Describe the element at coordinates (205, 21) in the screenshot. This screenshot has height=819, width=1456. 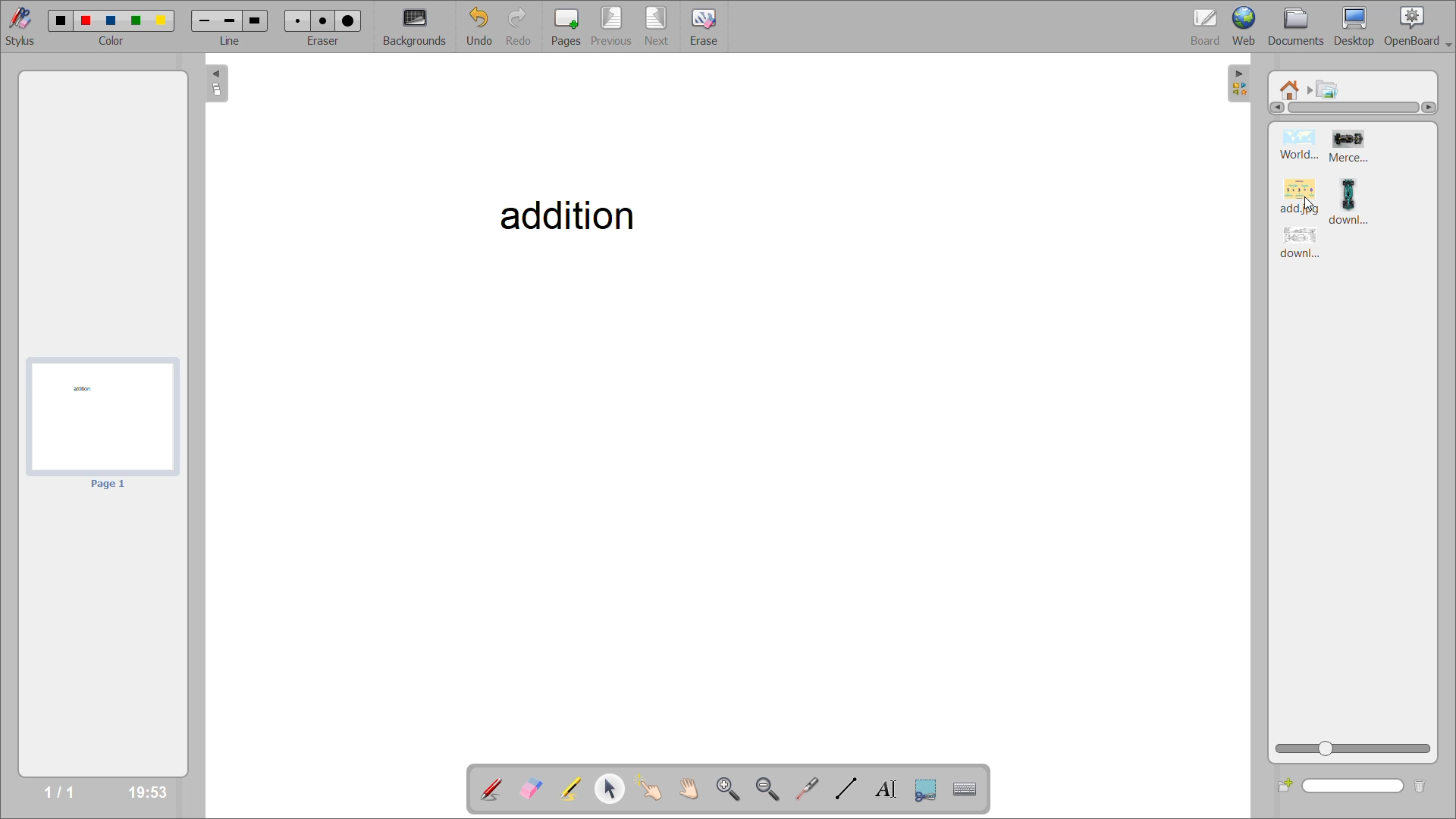
I see `line 1` at that location.